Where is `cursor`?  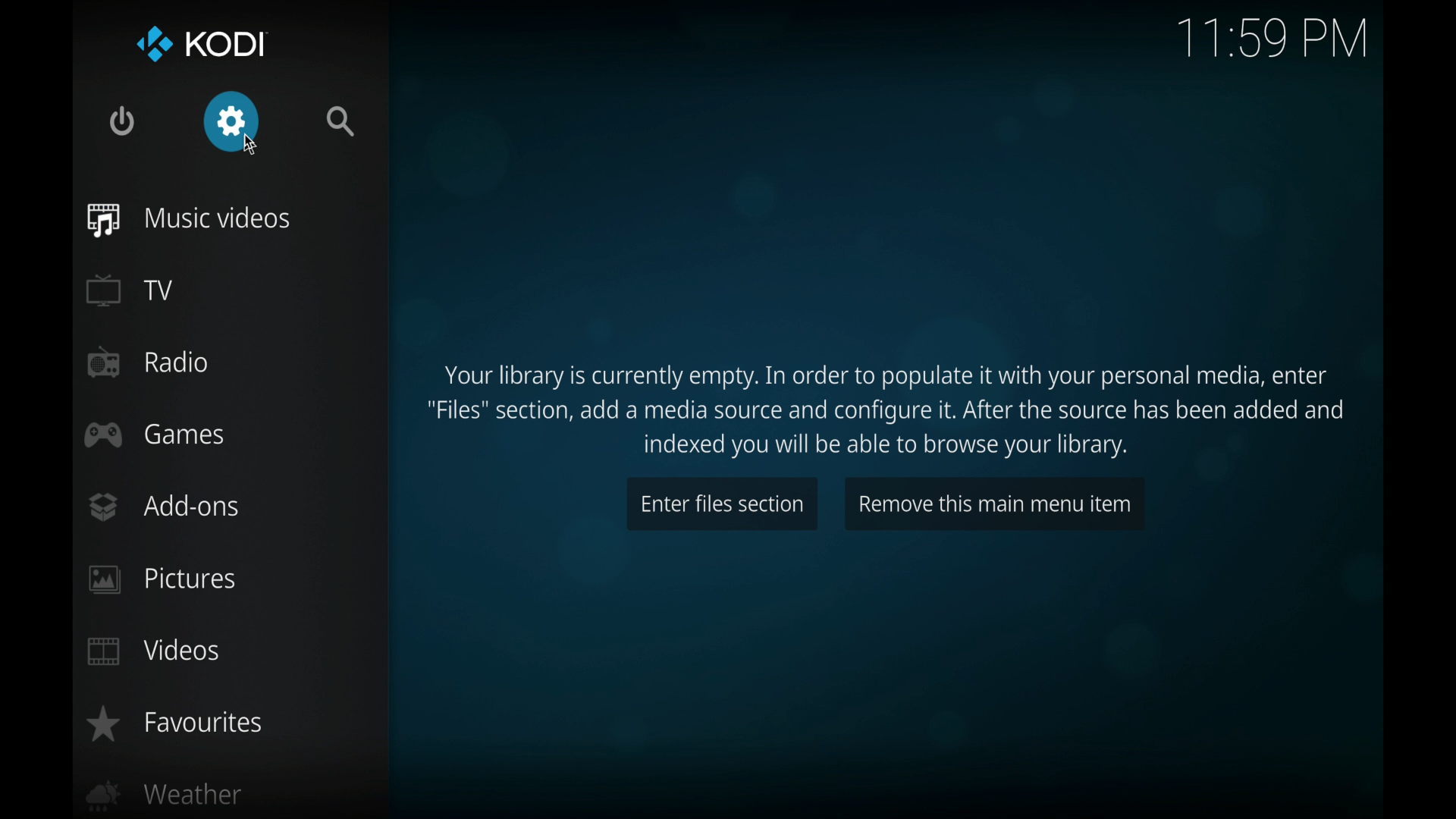 cursor is located at coordinates (250, 146).